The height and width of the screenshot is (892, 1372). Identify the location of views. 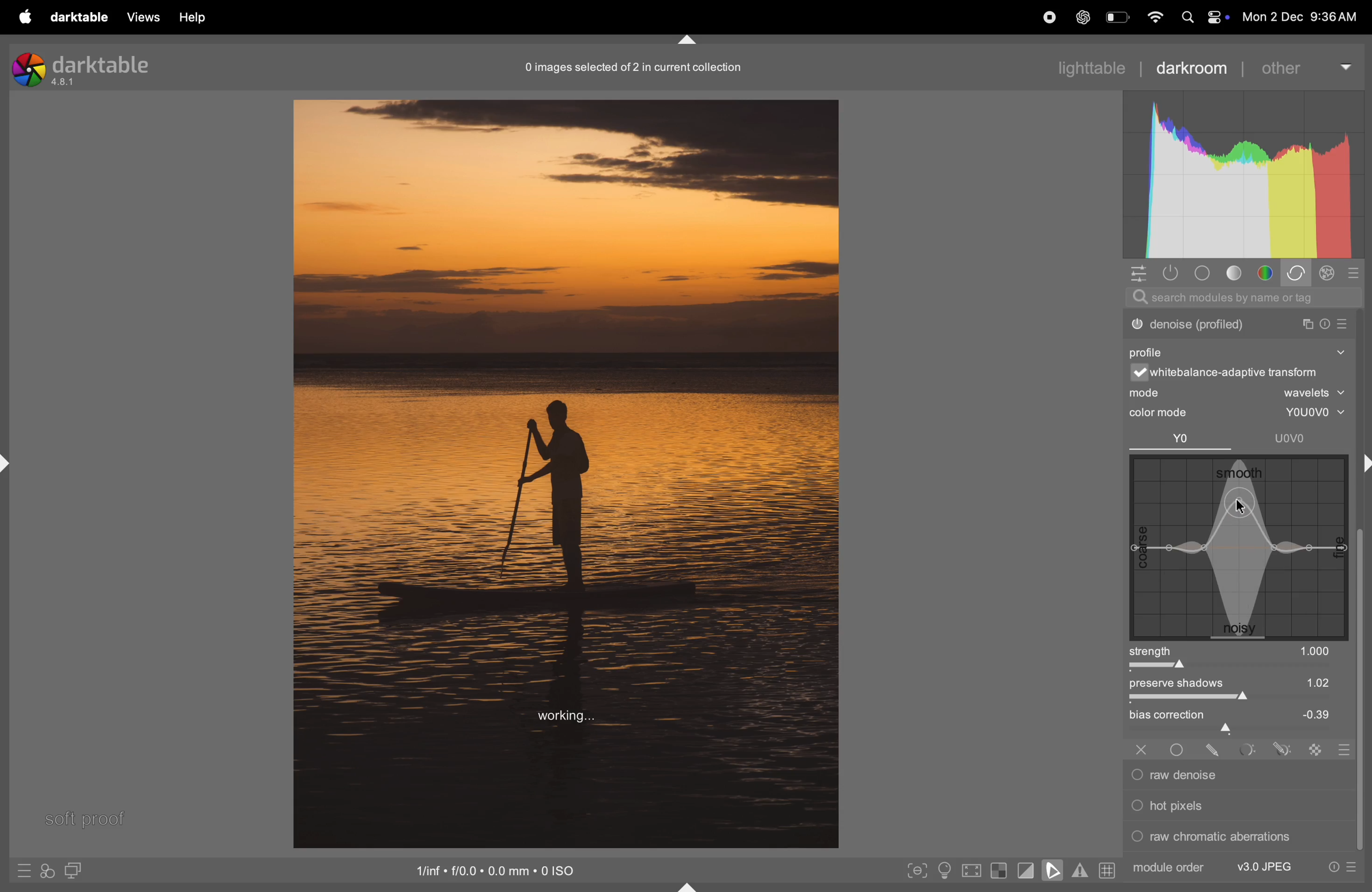
(142, 17).